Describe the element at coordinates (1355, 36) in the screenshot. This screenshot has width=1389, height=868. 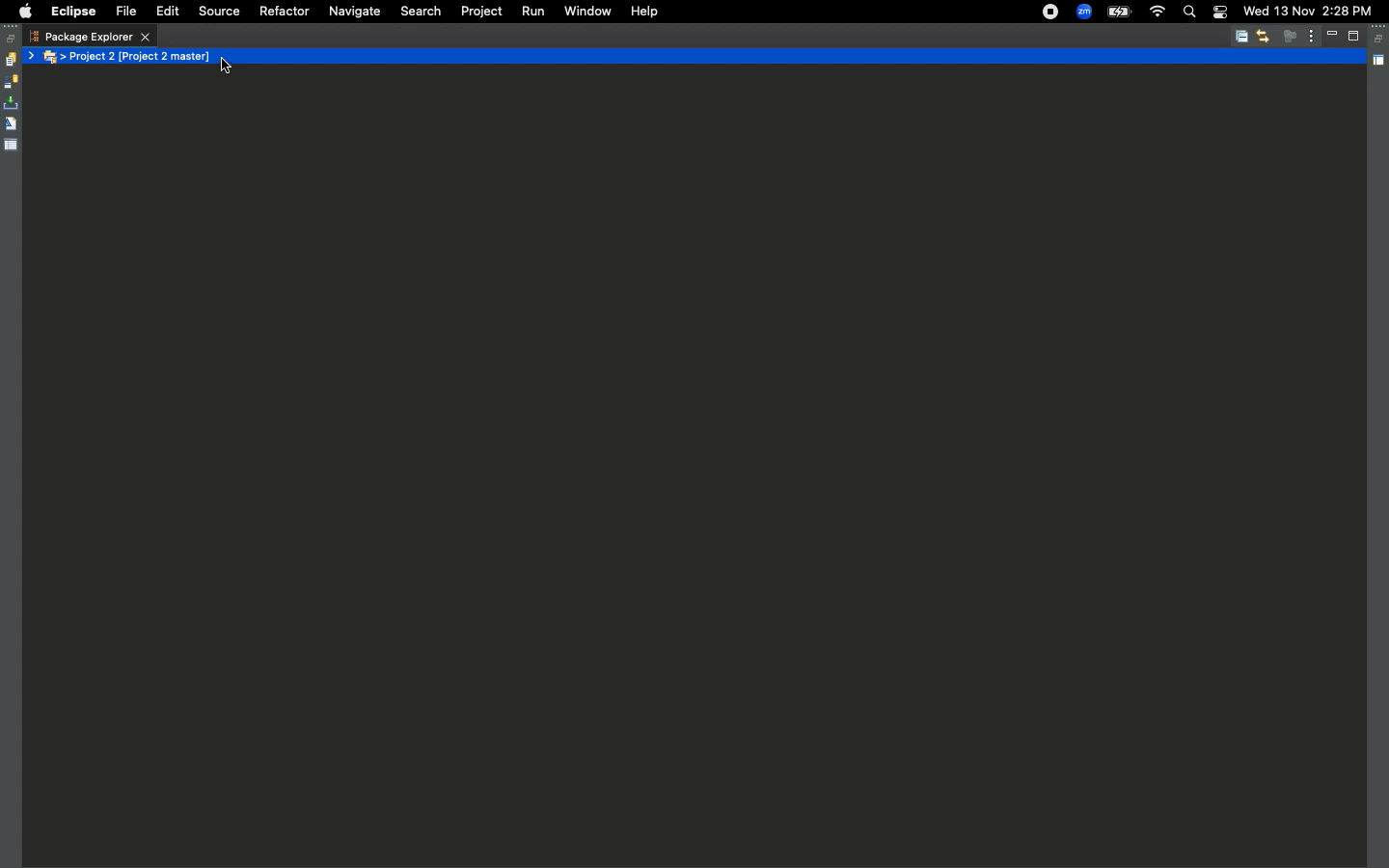
I see `Maximize` at that location.